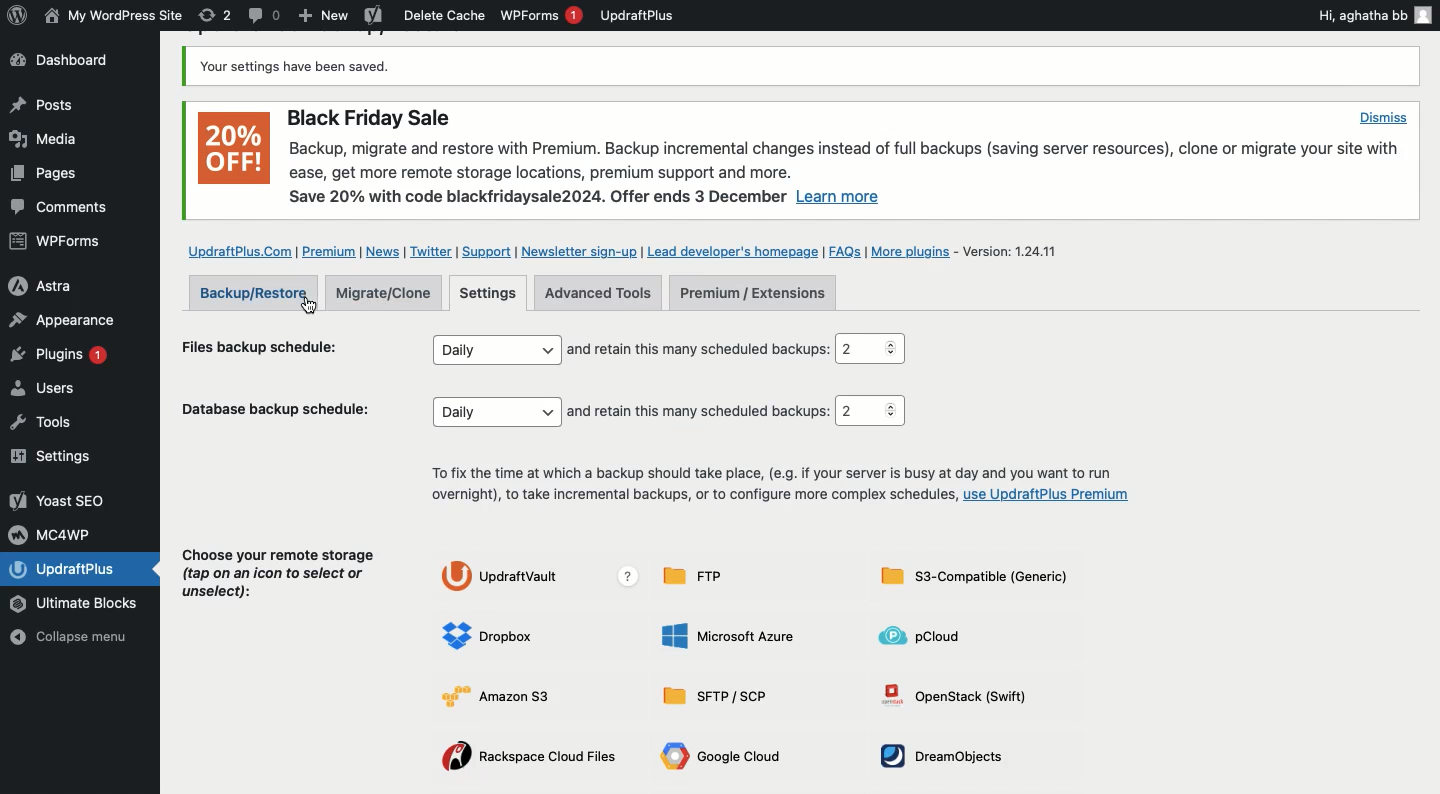  Describe the element at coordinates (265, 15) in the screenshot. I see `Comment 0` at that location.